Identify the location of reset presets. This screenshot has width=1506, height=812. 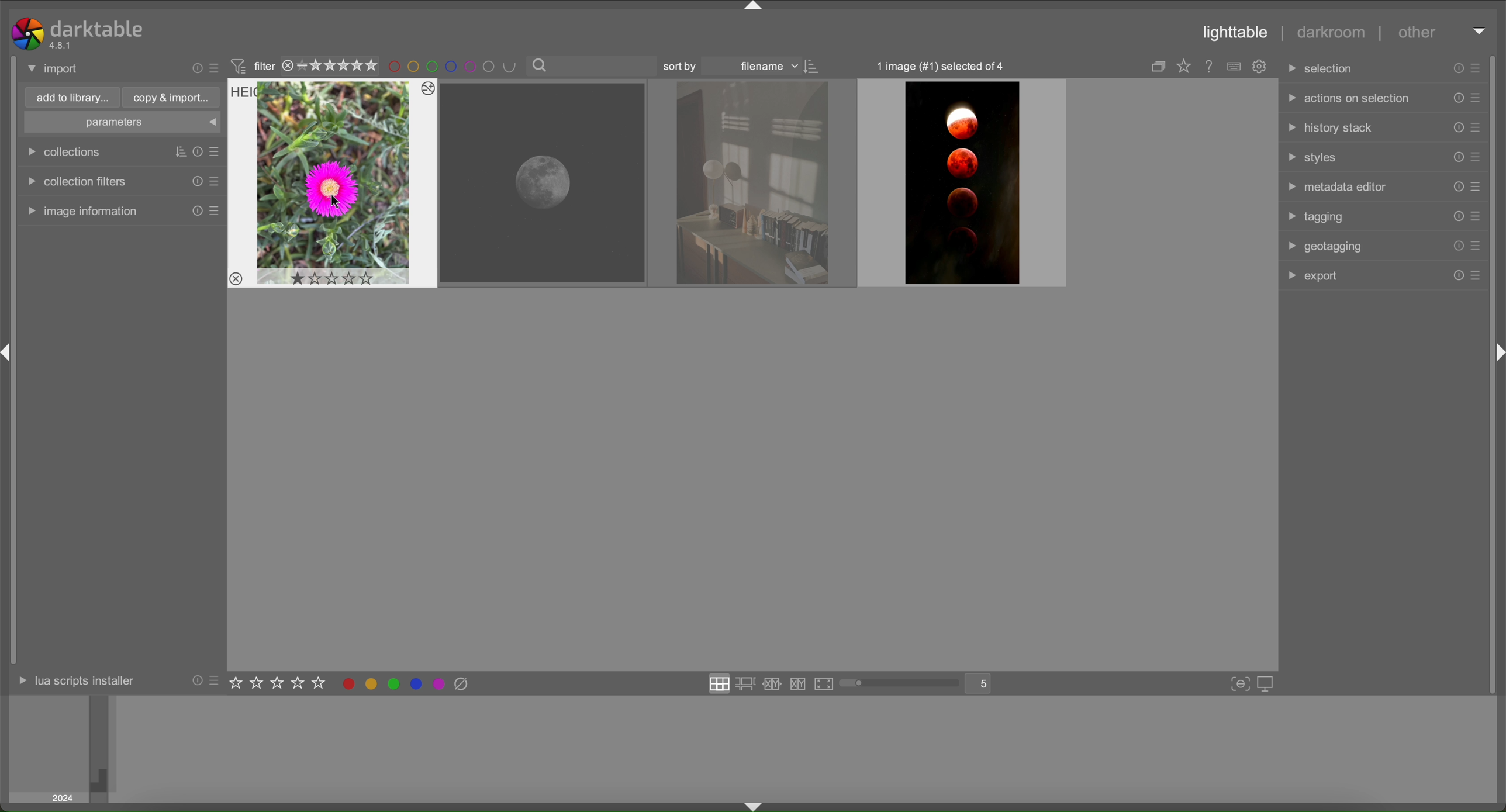
(195, 68).